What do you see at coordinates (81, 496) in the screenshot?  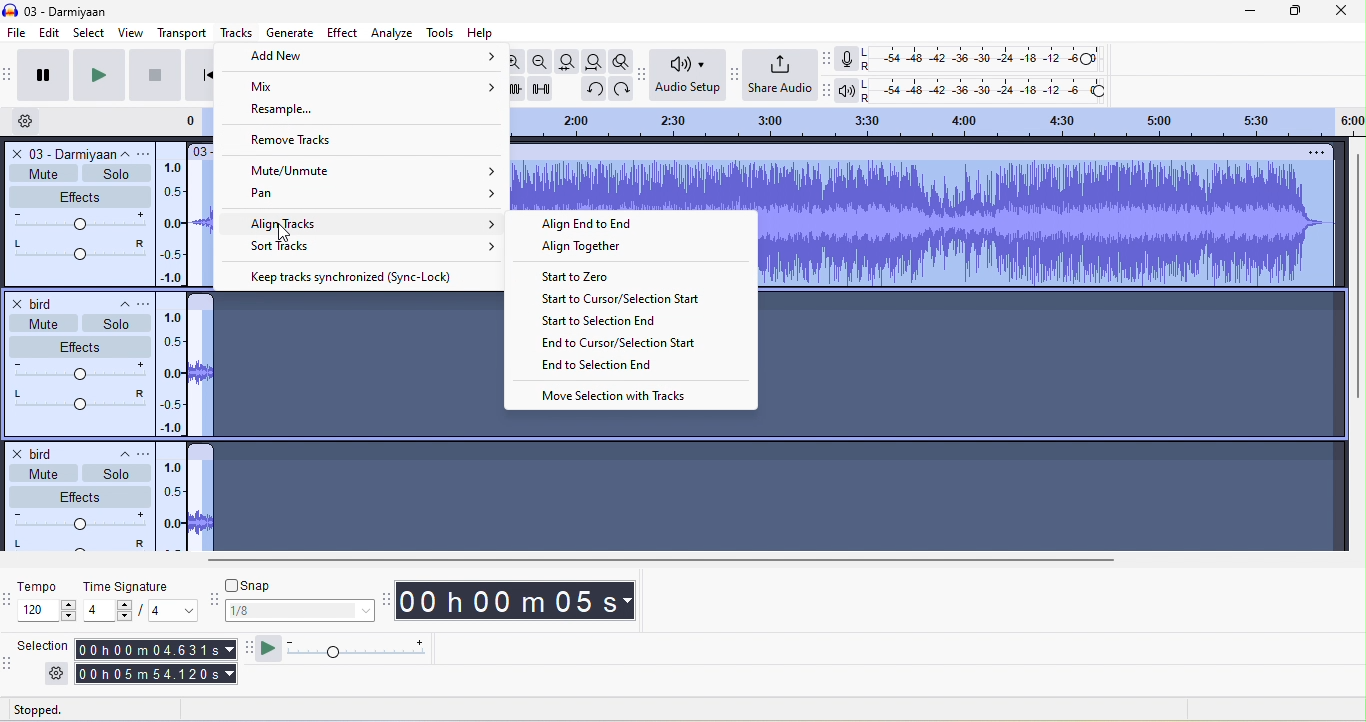 I see `effects` at bounding box center [81, 496].